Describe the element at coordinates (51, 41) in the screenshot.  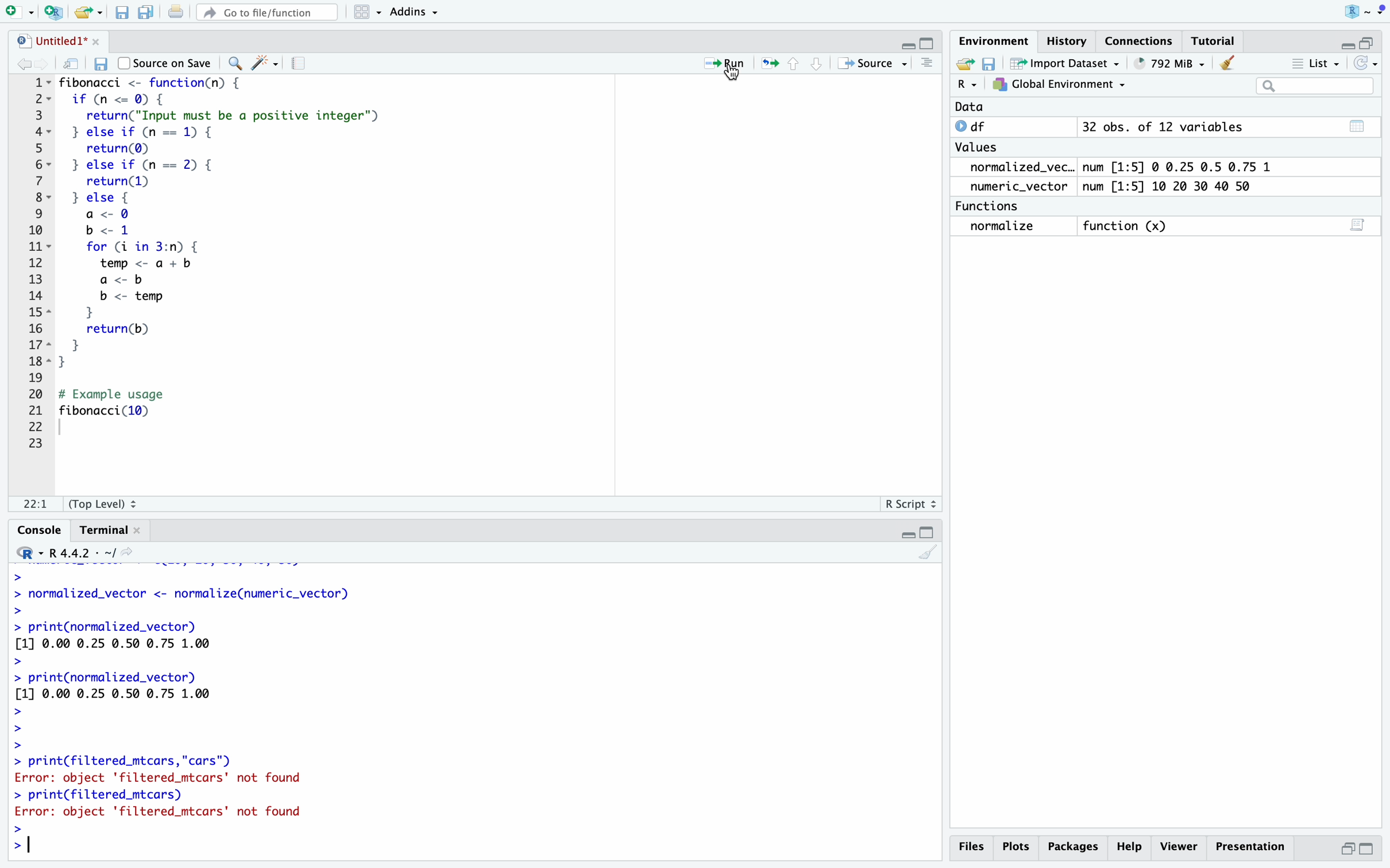
I see `untitled1` at that location.